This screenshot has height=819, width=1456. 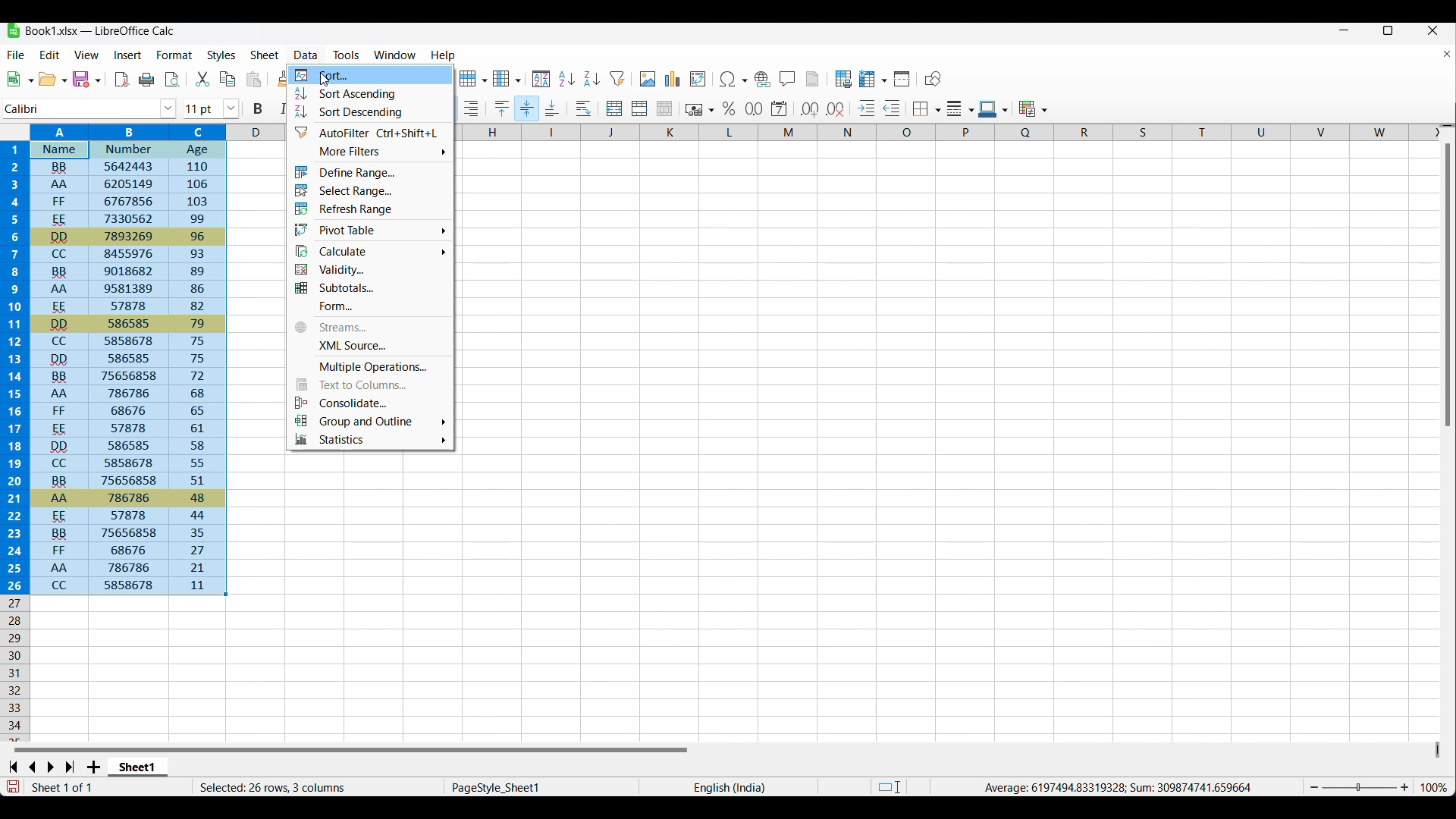 I want to click on Go to first sheet, so click(x=12, y=767).